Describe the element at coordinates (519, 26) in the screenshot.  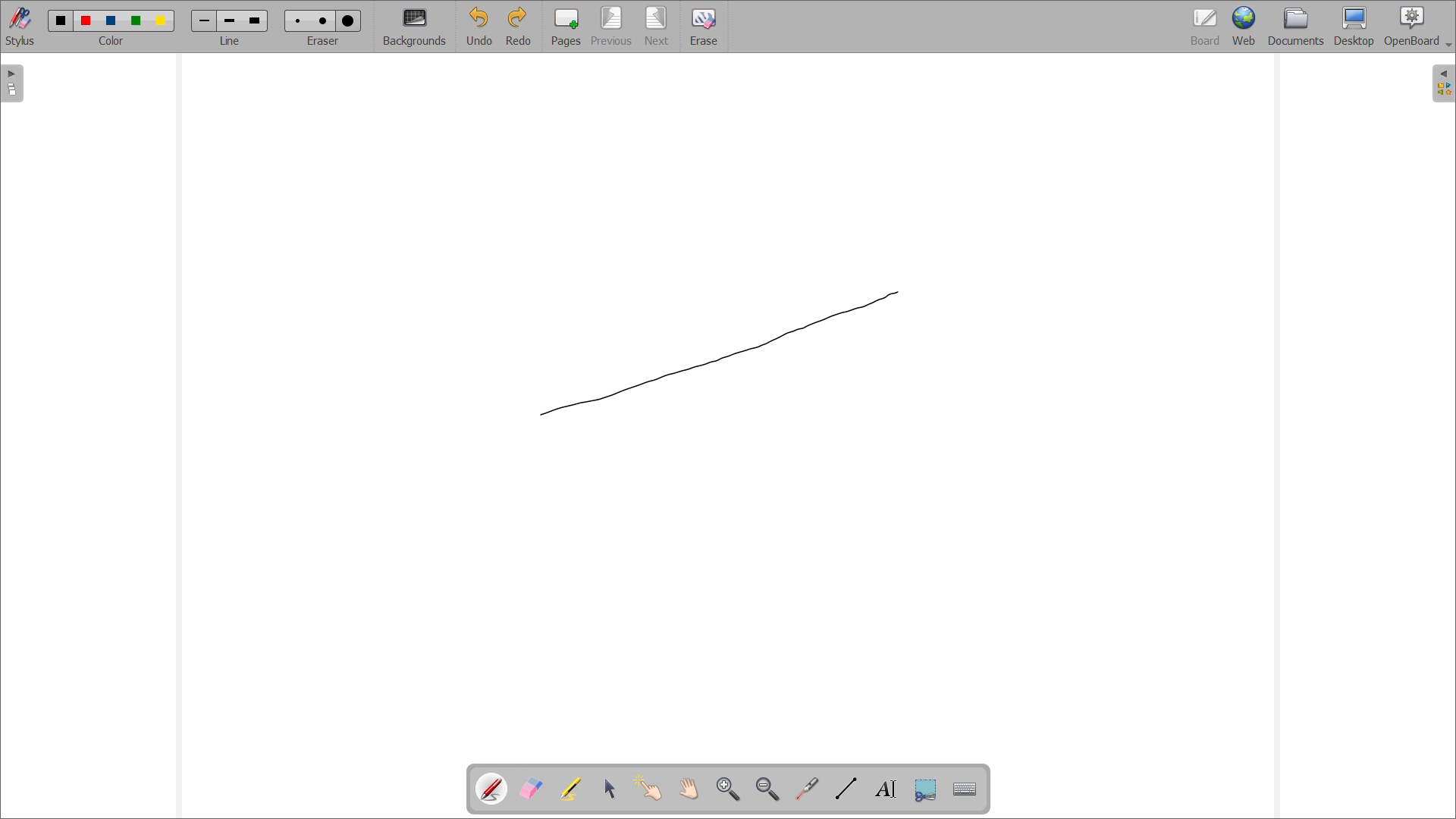
I see `redo` at that location.